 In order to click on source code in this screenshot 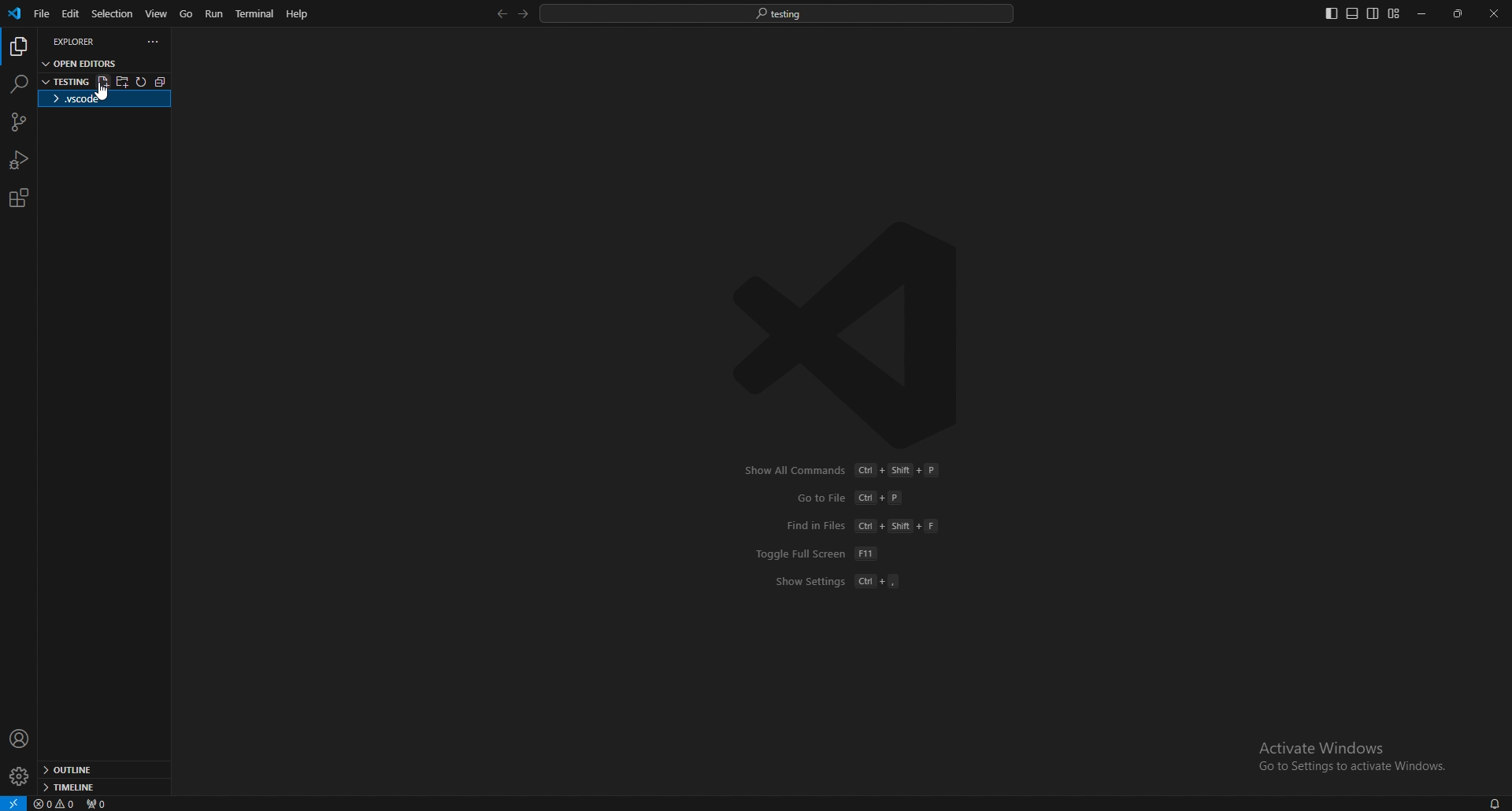, I will do `click(17, 123)`.